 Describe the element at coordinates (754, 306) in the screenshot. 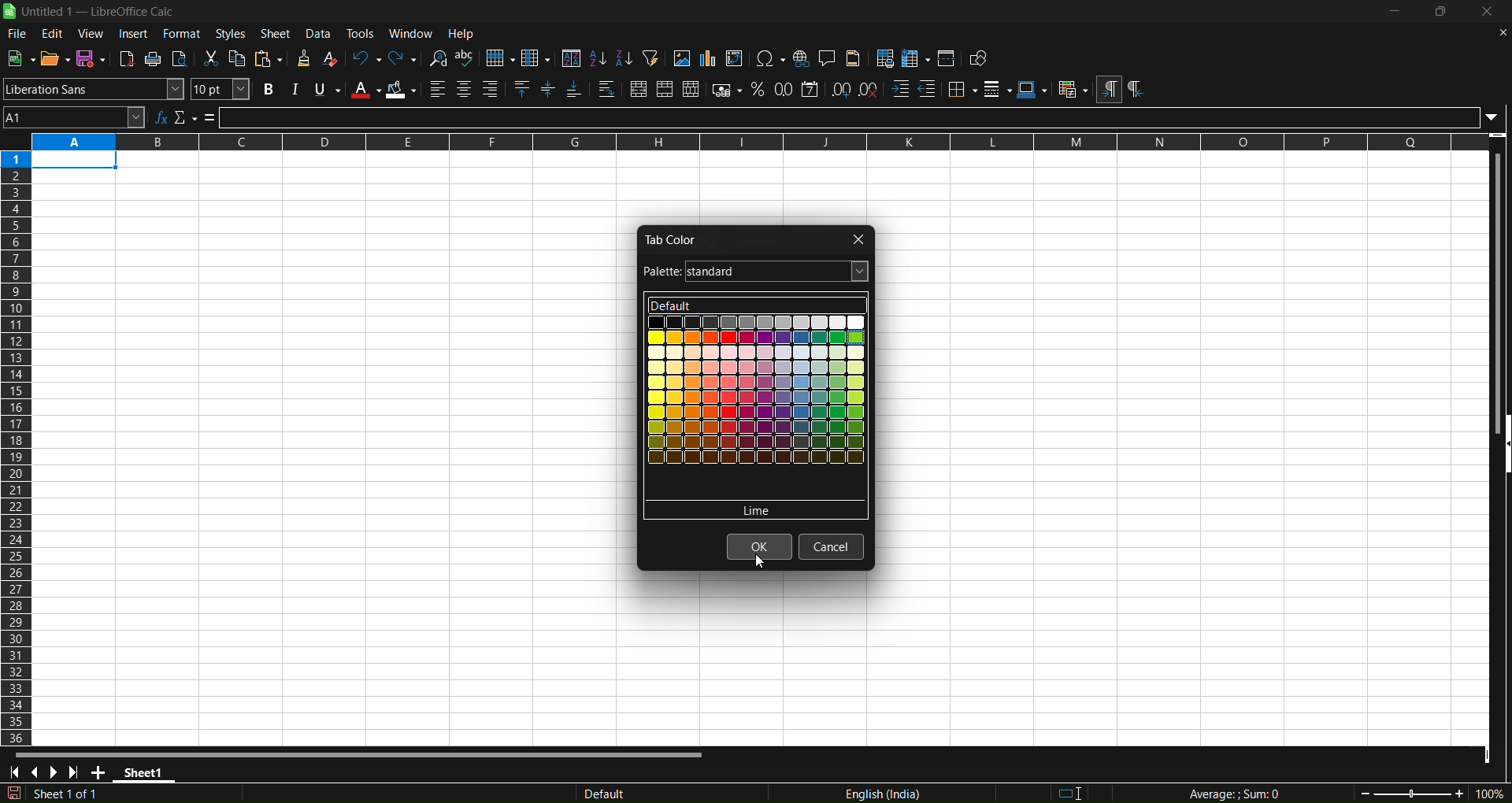

I see `default` at that location.